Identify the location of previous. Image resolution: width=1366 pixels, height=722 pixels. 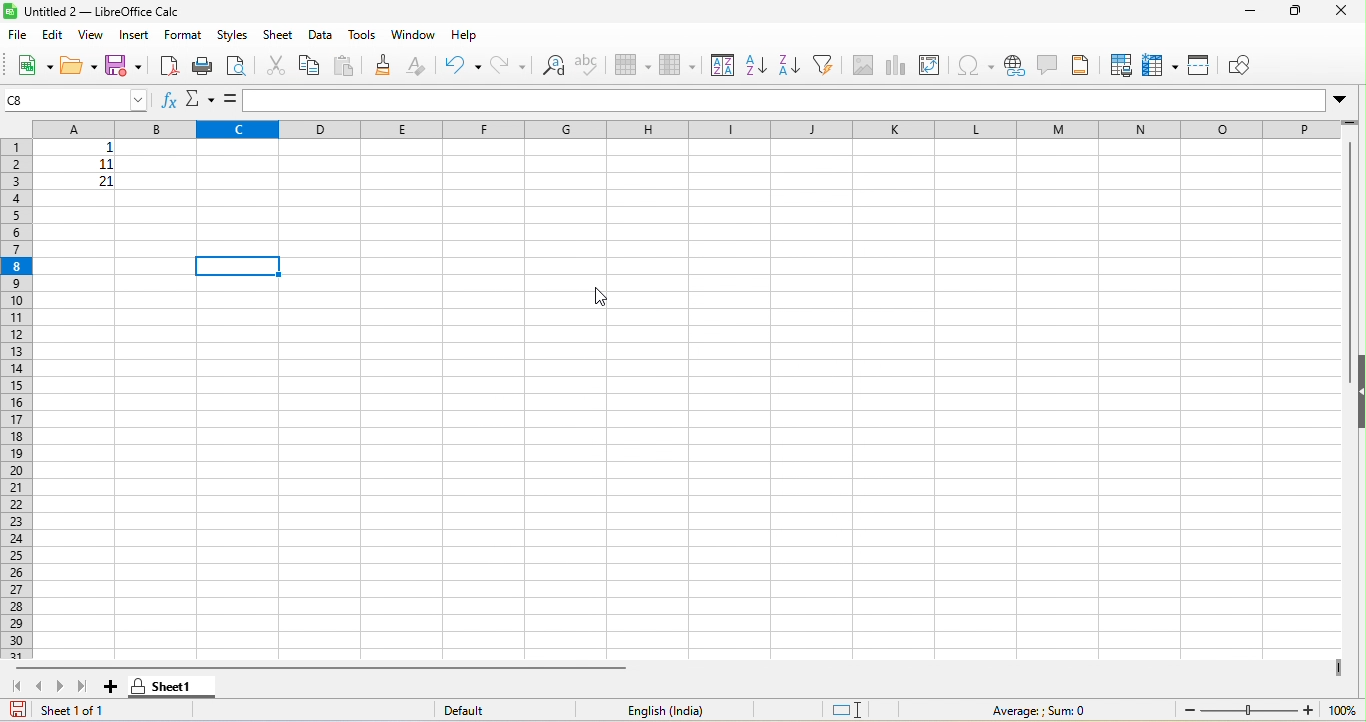
(40, 685).